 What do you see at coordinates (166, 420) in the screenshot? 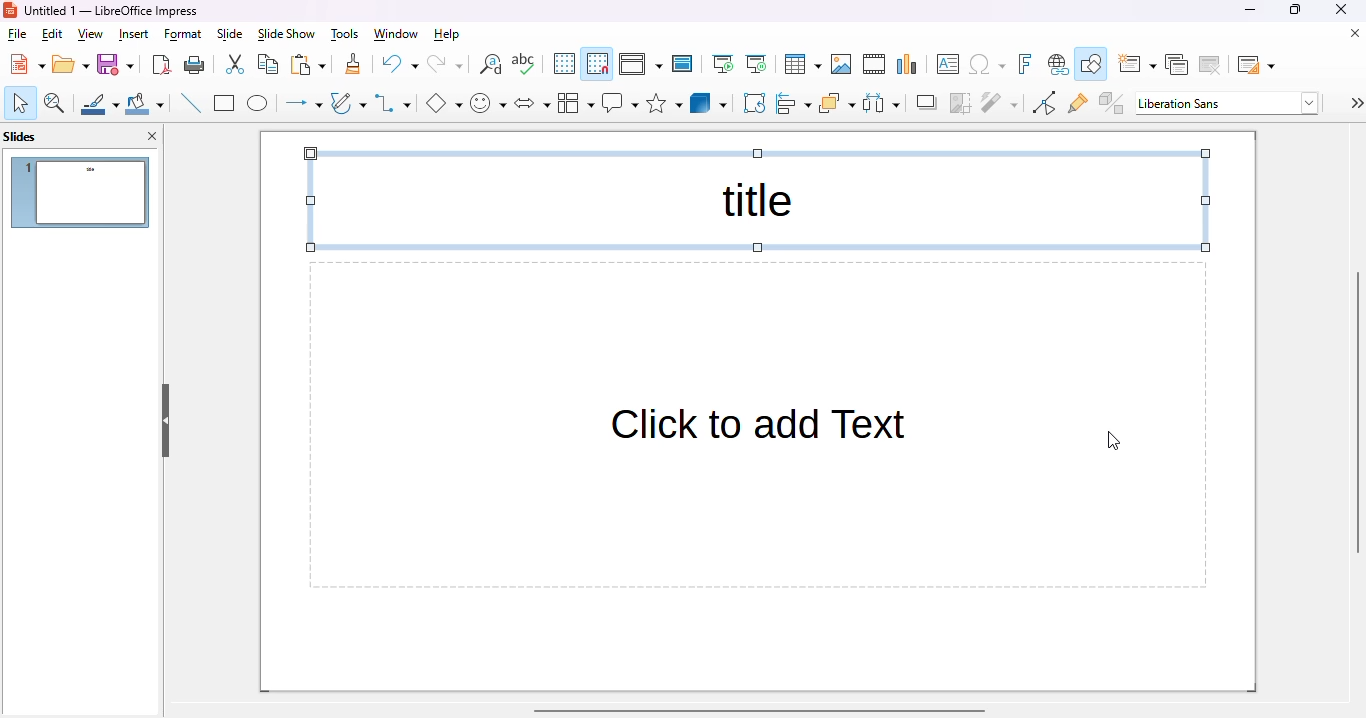
I see `hide` at bounding box center [166, 420].